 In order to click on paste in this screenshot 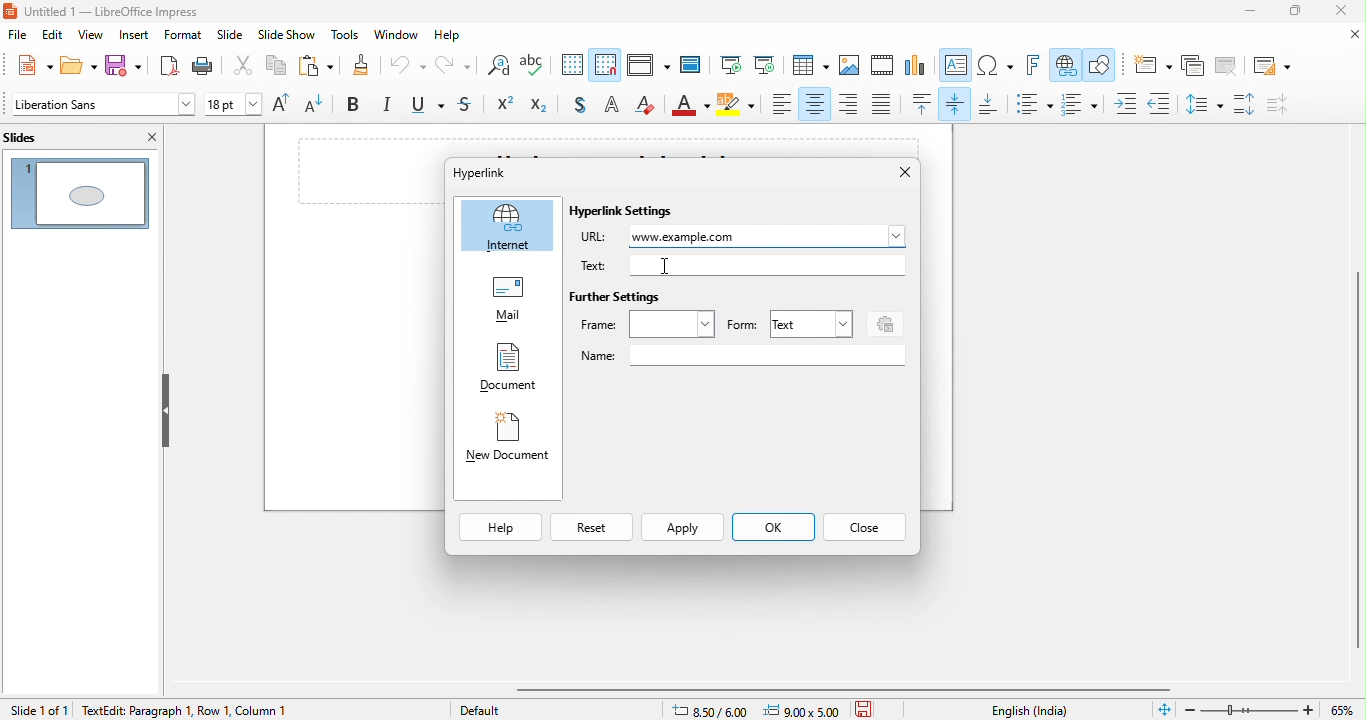, I will do `click(313, 67)`.